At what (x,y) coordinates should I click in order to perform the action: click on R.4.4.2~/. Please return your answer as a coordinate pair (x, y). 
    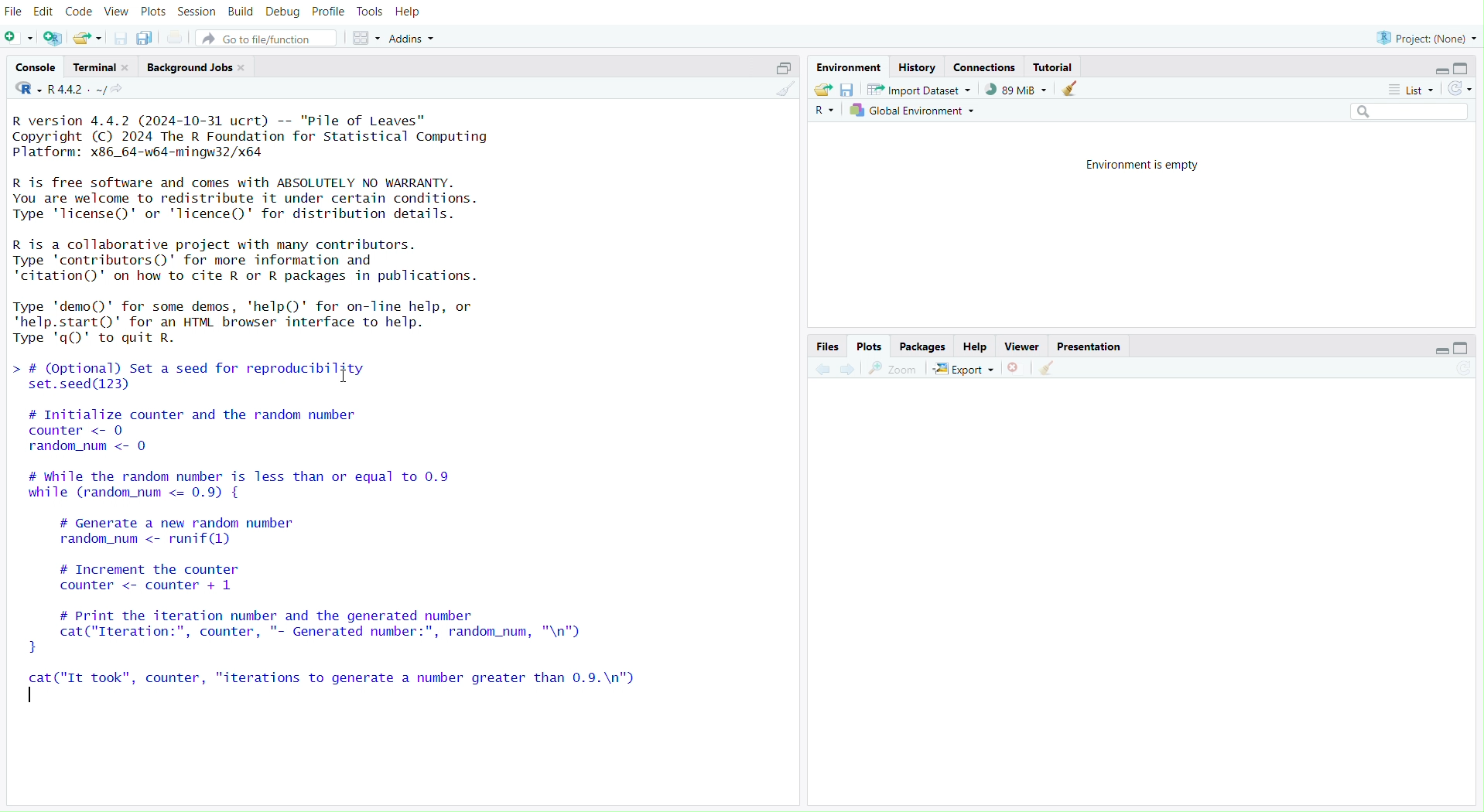
    Looking at the image, I should click on (78, 90).